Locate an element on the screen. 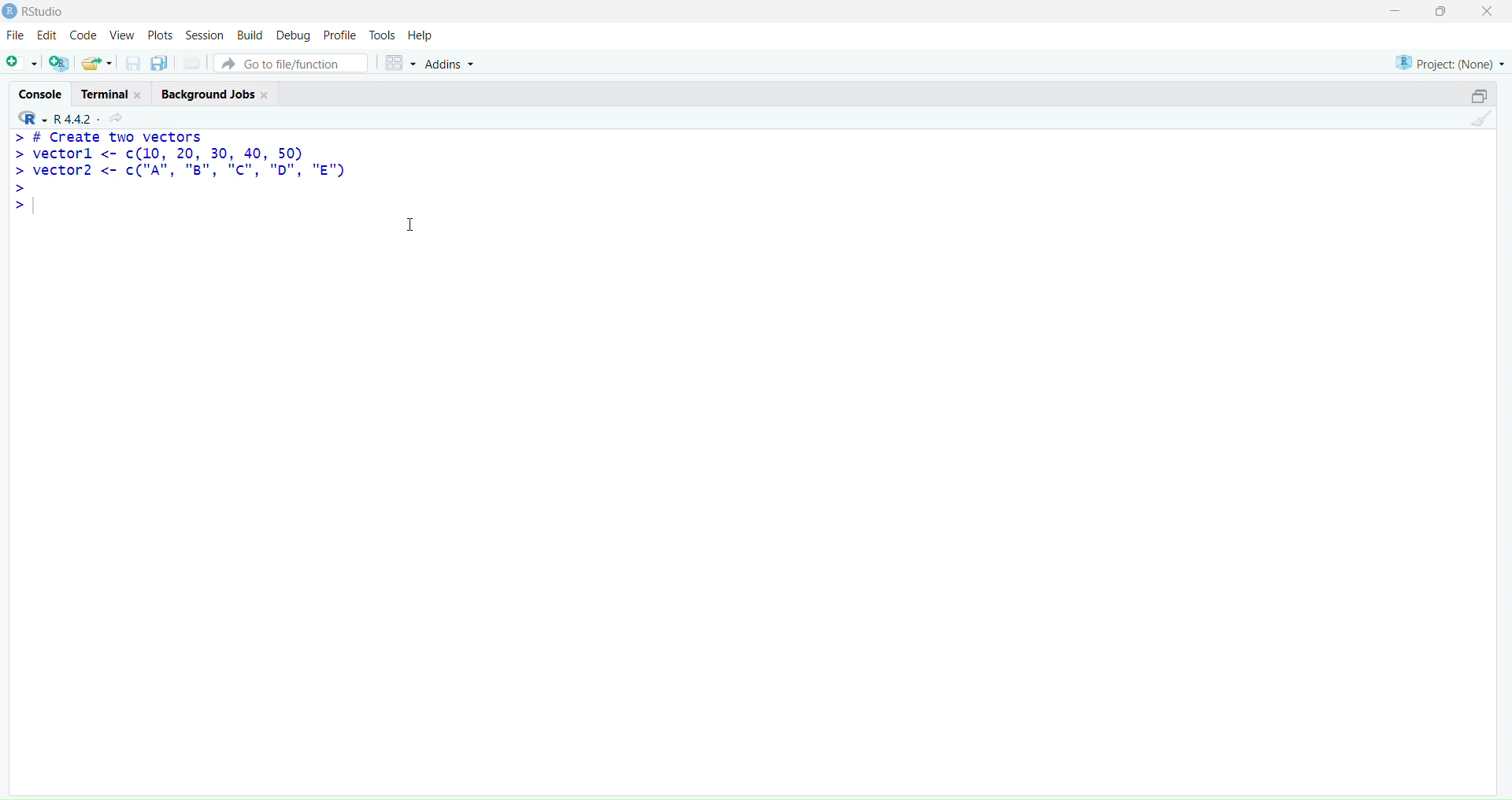 This screenshot has height=800, width=1512. Plots is located at coordinates (160, 35).